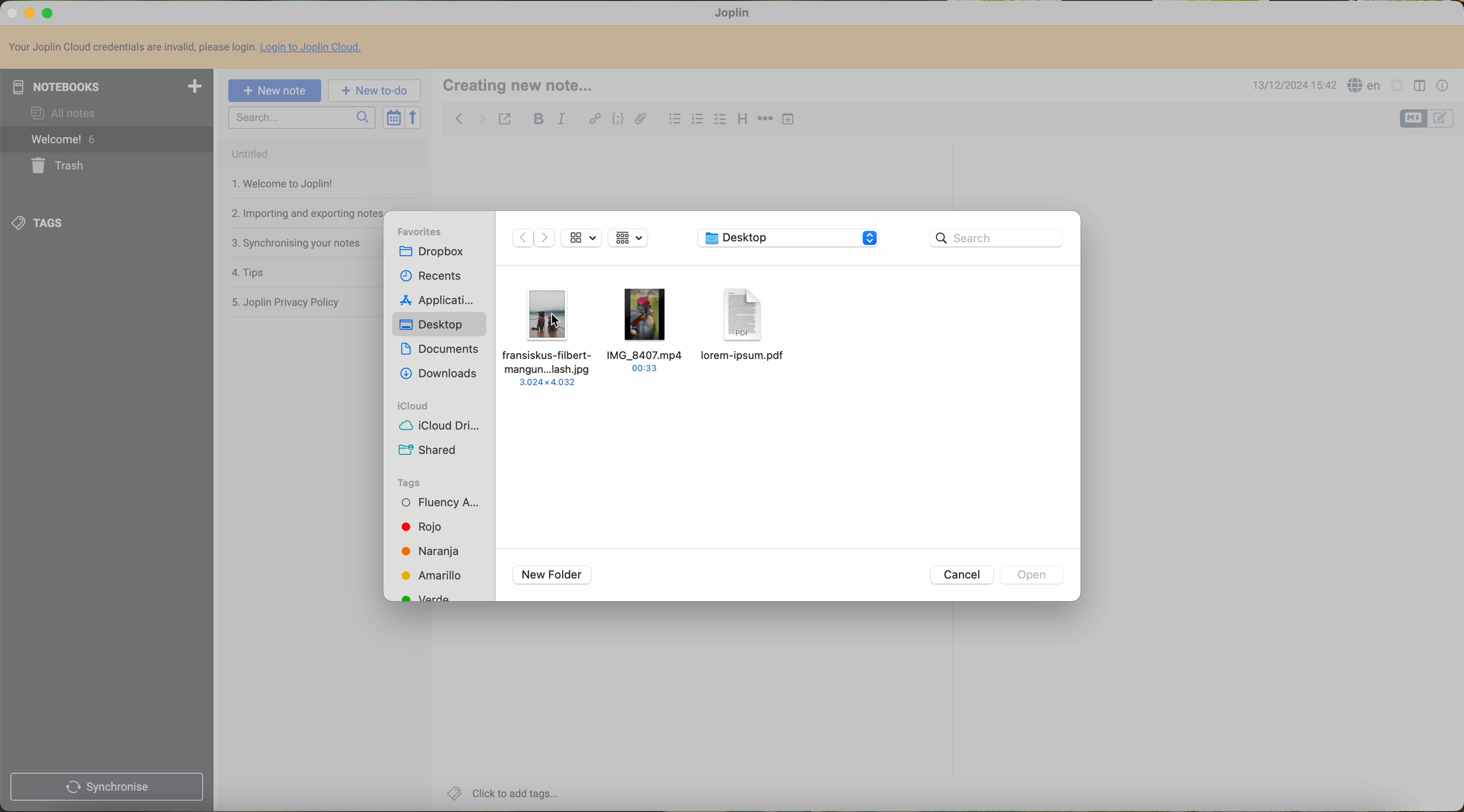 This screenshot has height=812, width=1464. I want to click on checkbox, so click(719, 119).